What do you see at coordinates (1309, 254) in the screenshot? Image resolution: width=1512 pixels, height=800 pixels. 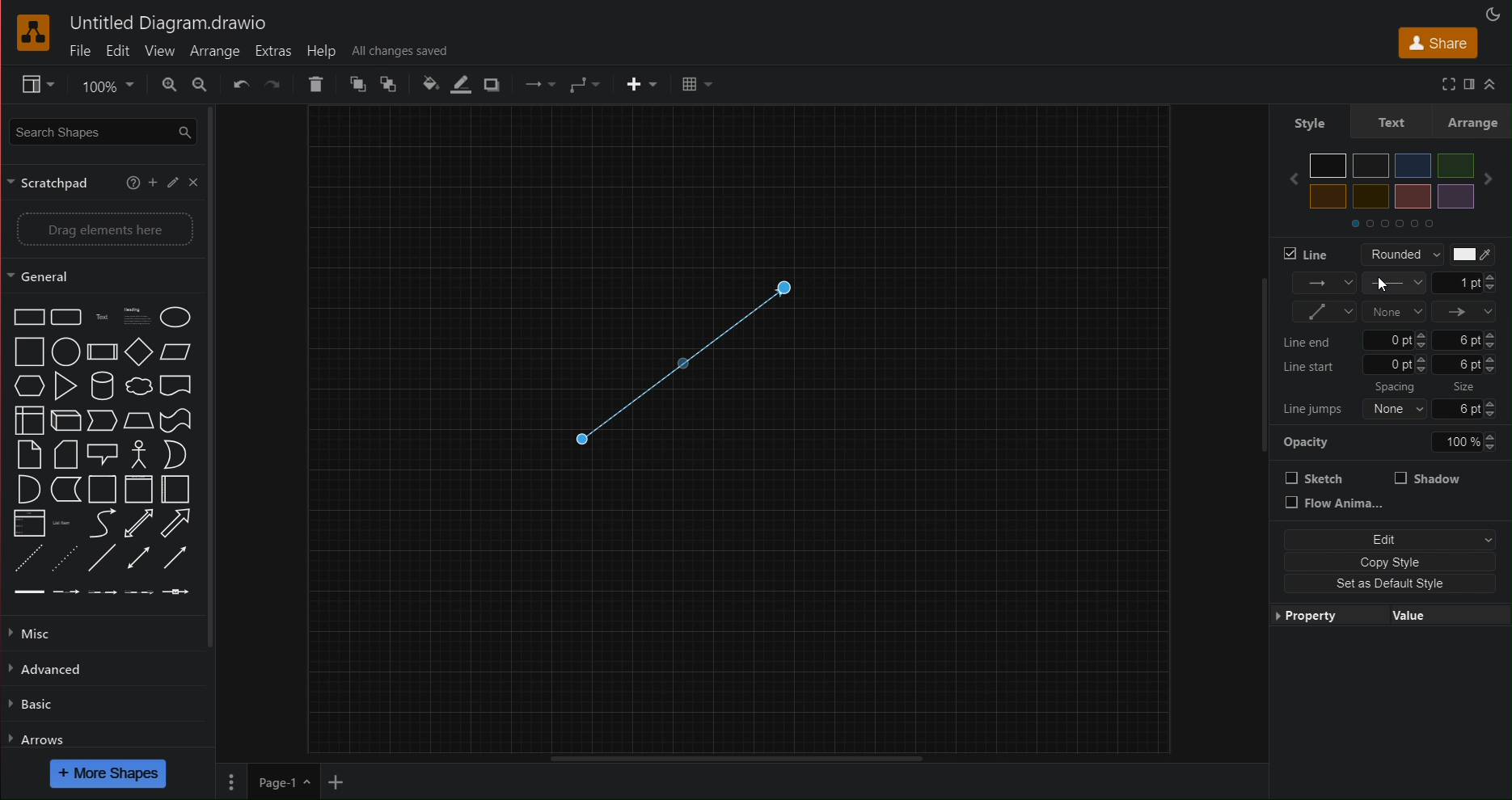 I see `Line` at bounding box center [1309, 254].